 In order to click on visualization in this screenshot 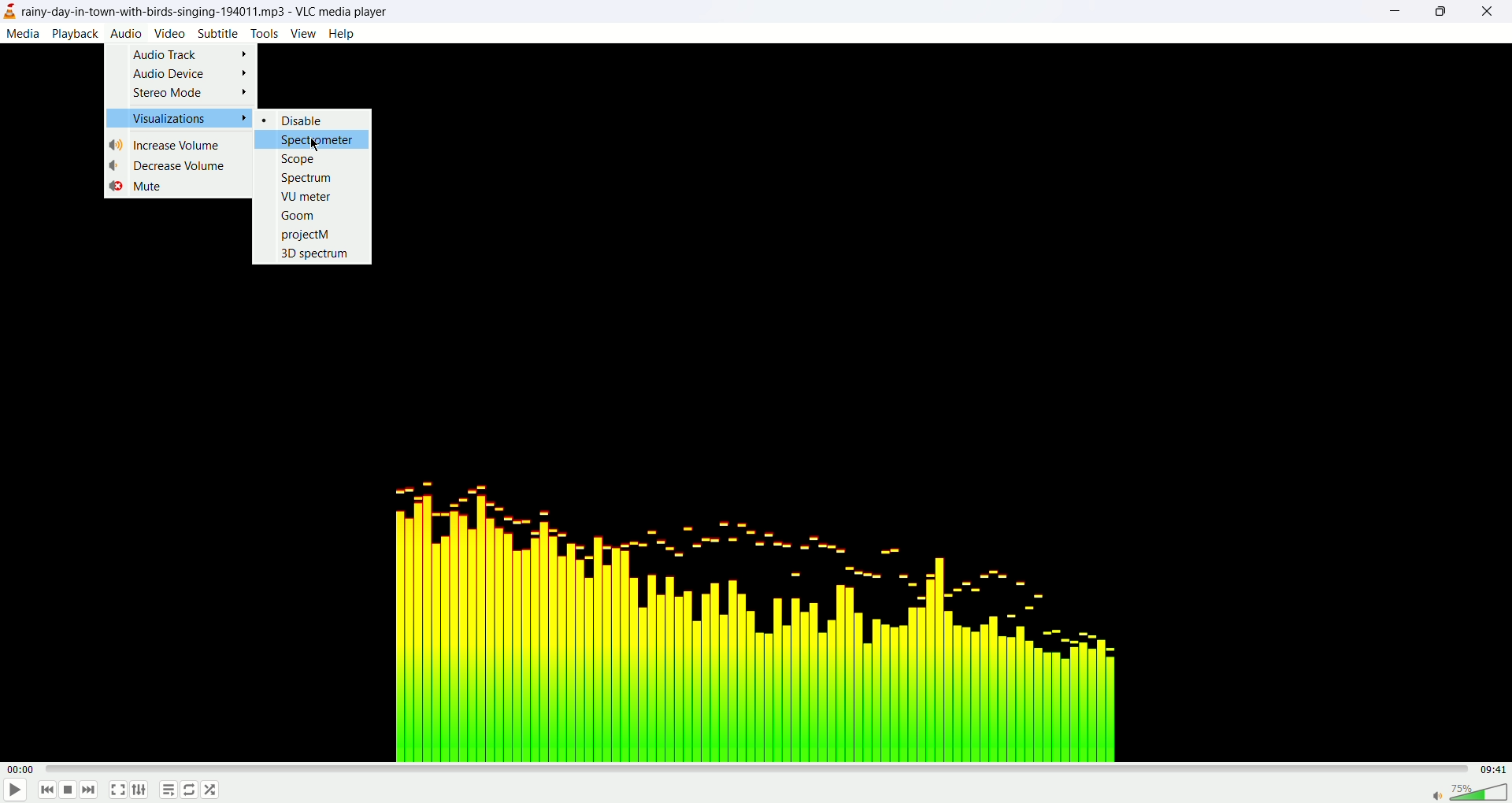, I will do `click(180, 117)`.